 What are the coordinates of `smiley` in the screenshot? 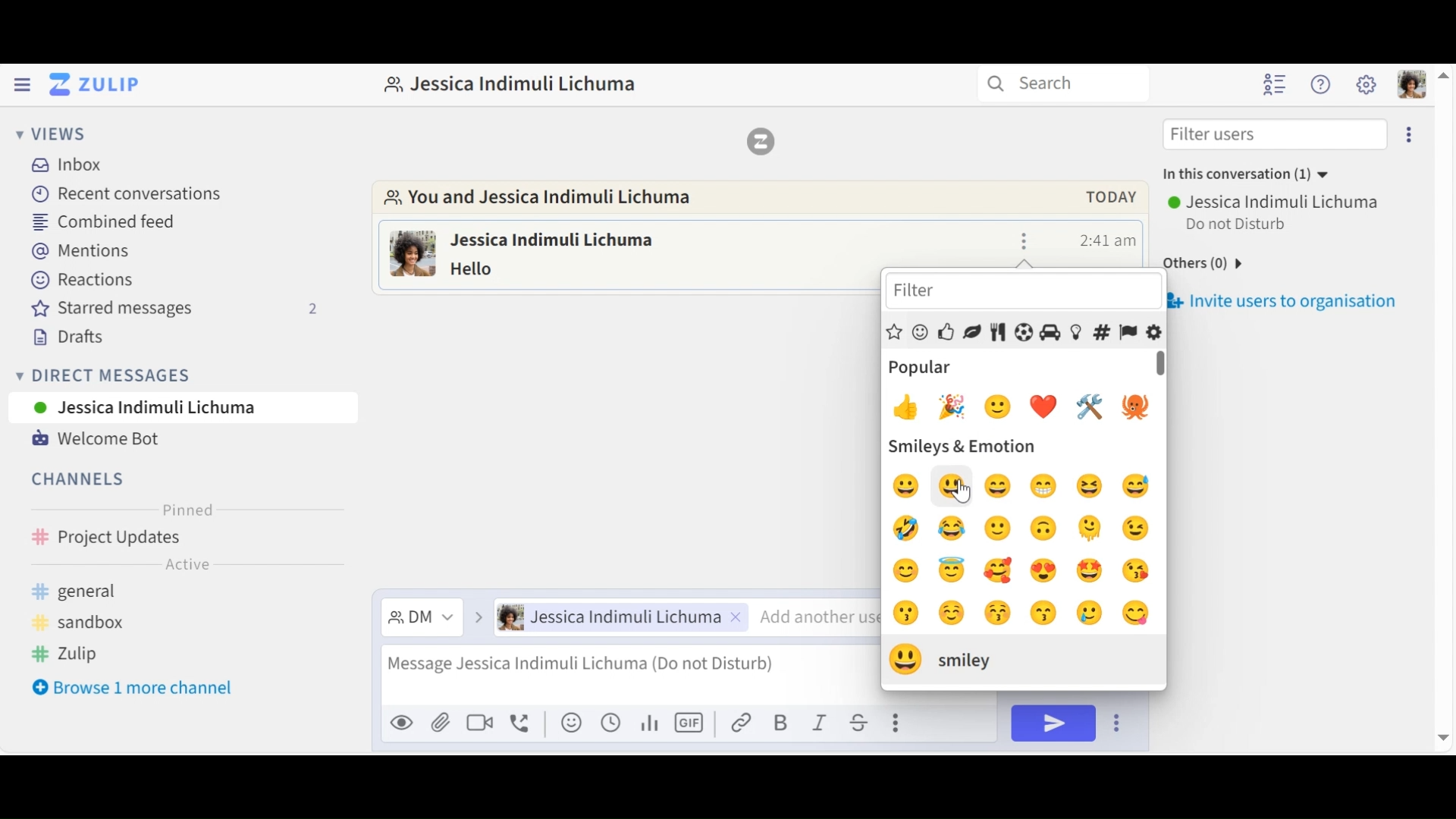 It's located at (954, 484).